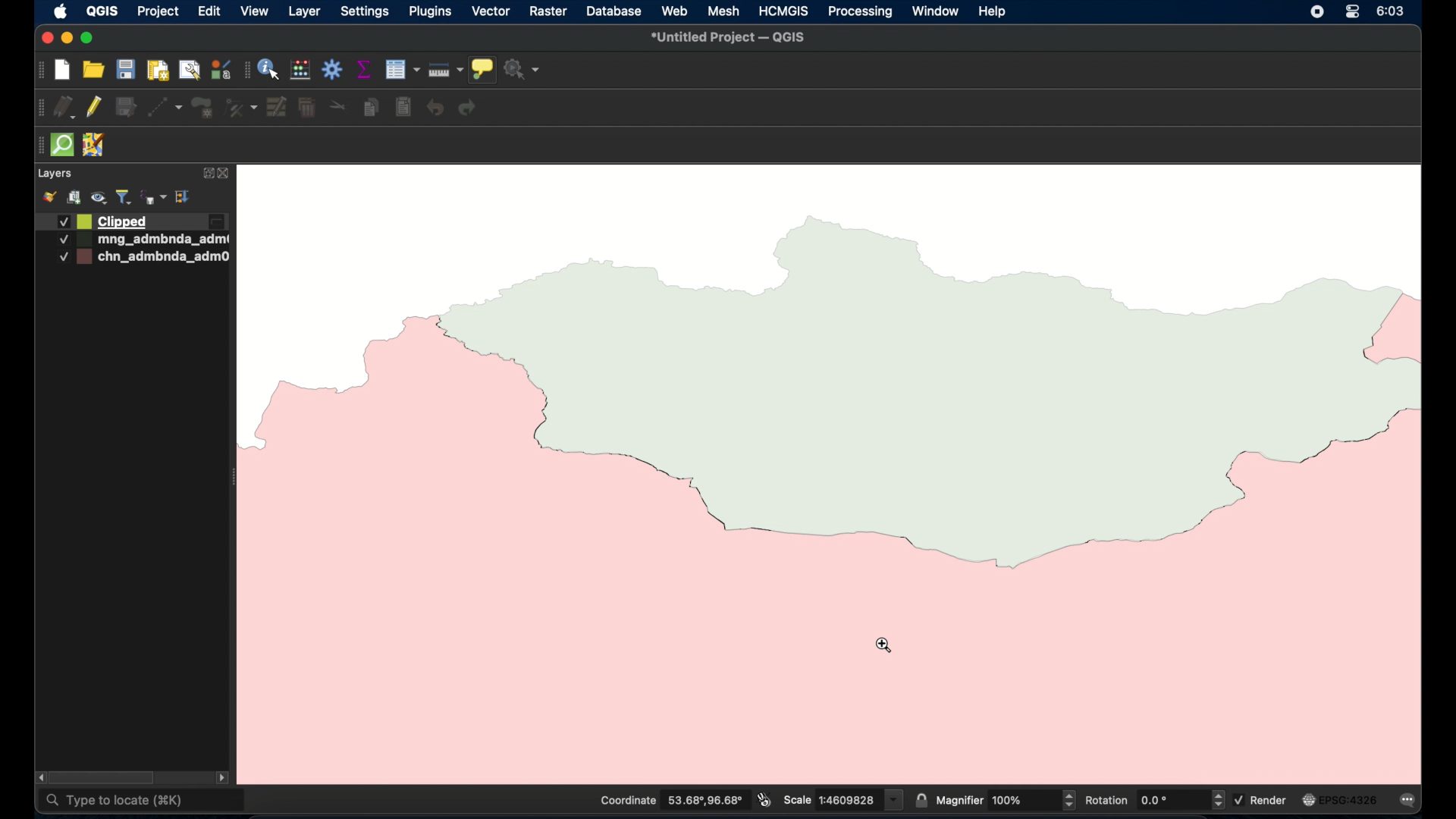 This screenshot has width=1456, height=819. I want to click on untitled project - QGIS, so click(727, 39).